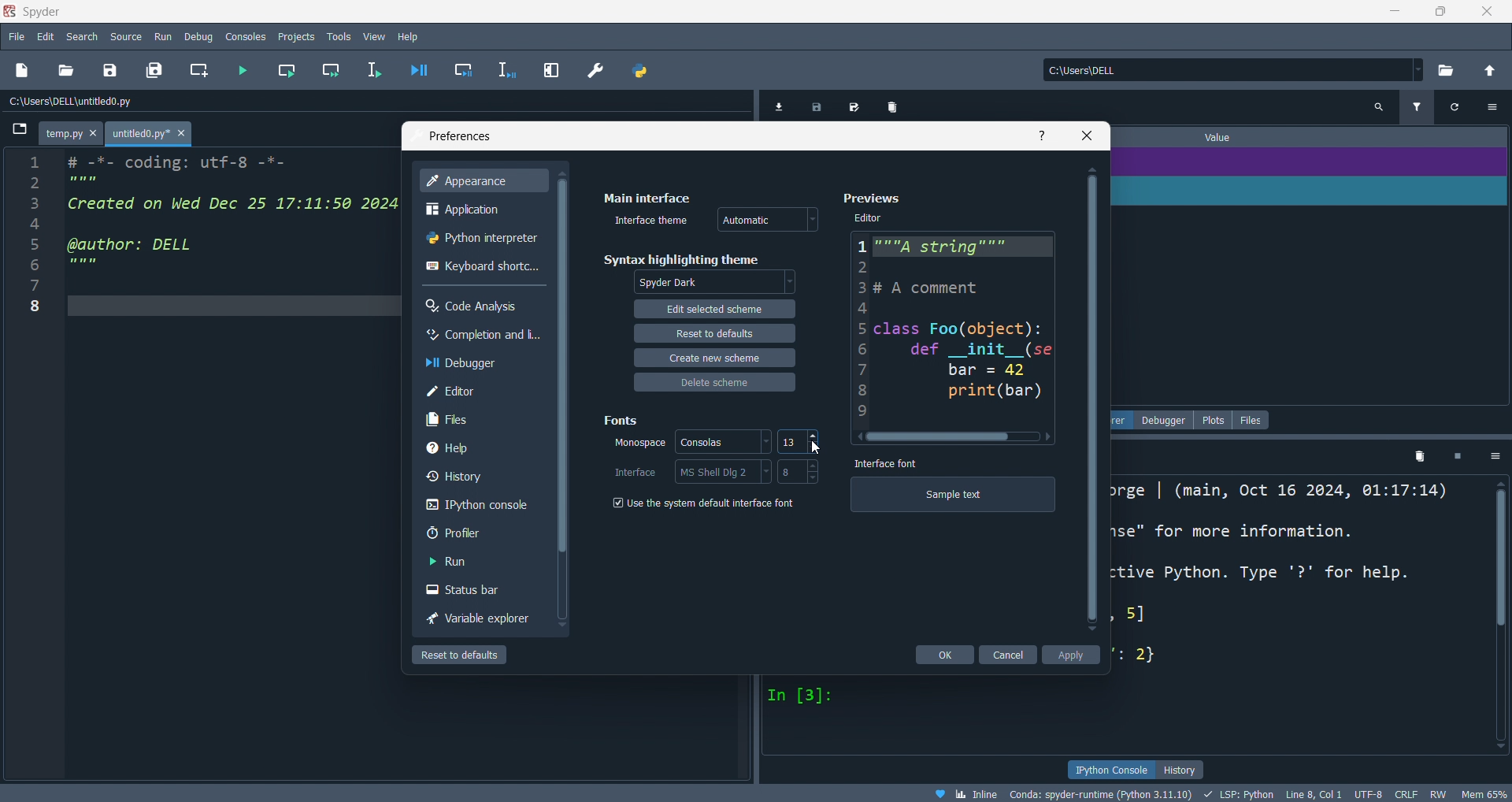 Image resolution: width=1512 pixels, height=802 pixels. What do you see at coordinates (1396, 14) in the screenshot?
I see `minimize` at bounding box center [1396, 14].